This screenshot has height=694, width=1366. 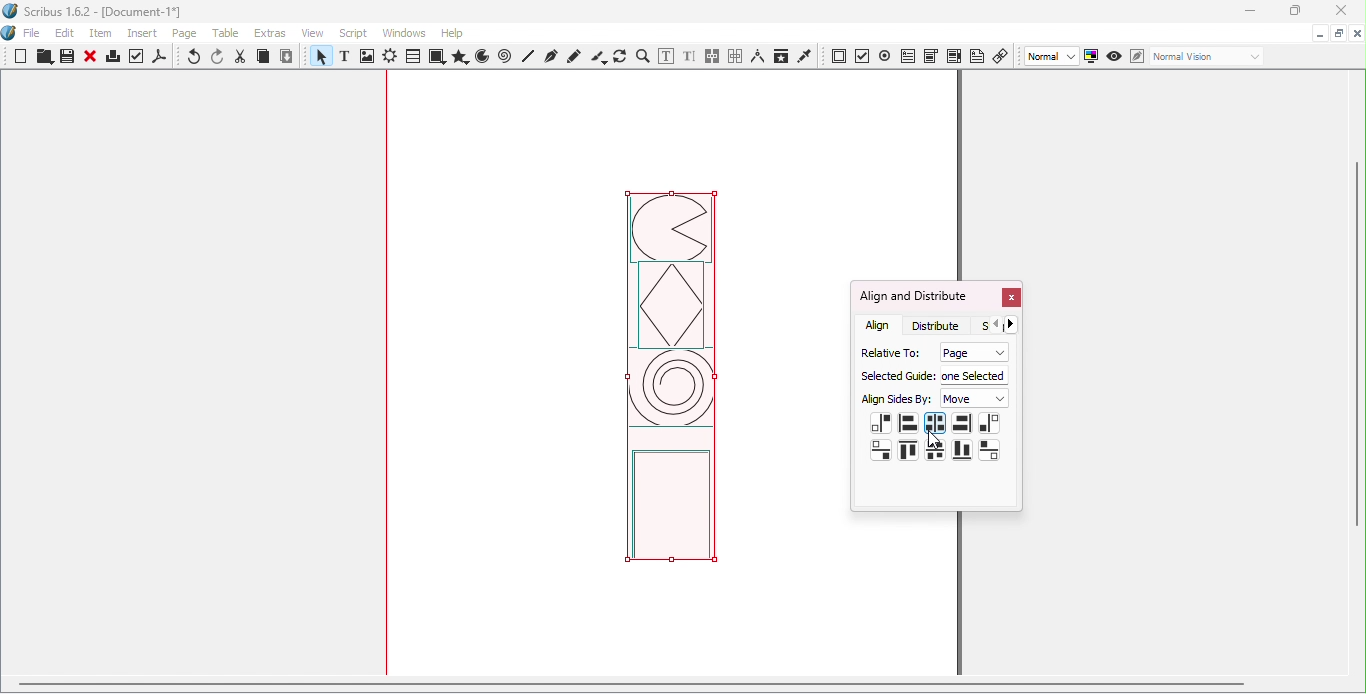 I want to click on Eye dropper, so click(x=805, y=55).